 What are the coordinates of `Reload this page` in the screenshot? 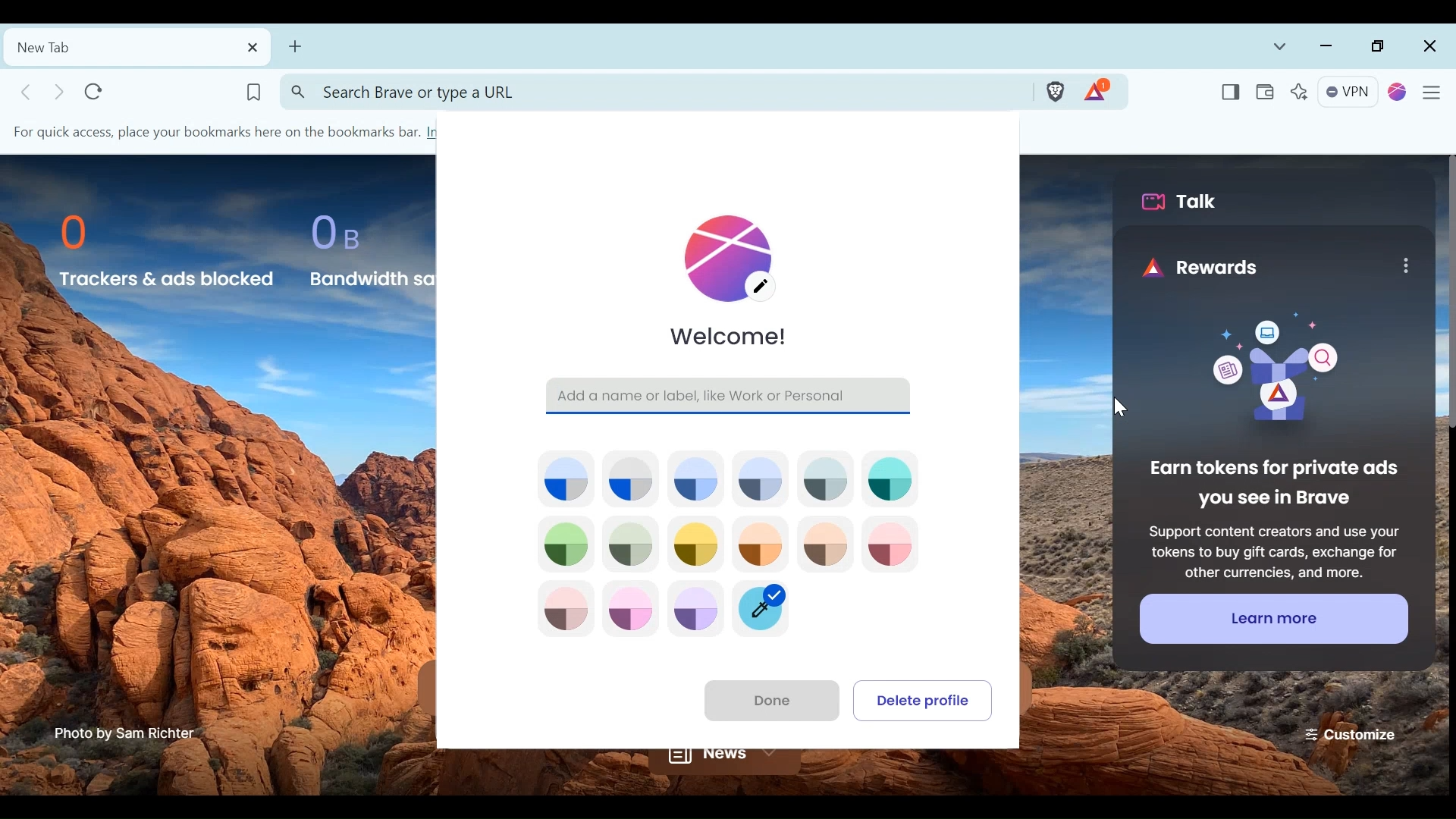 It's located at (94, 91).